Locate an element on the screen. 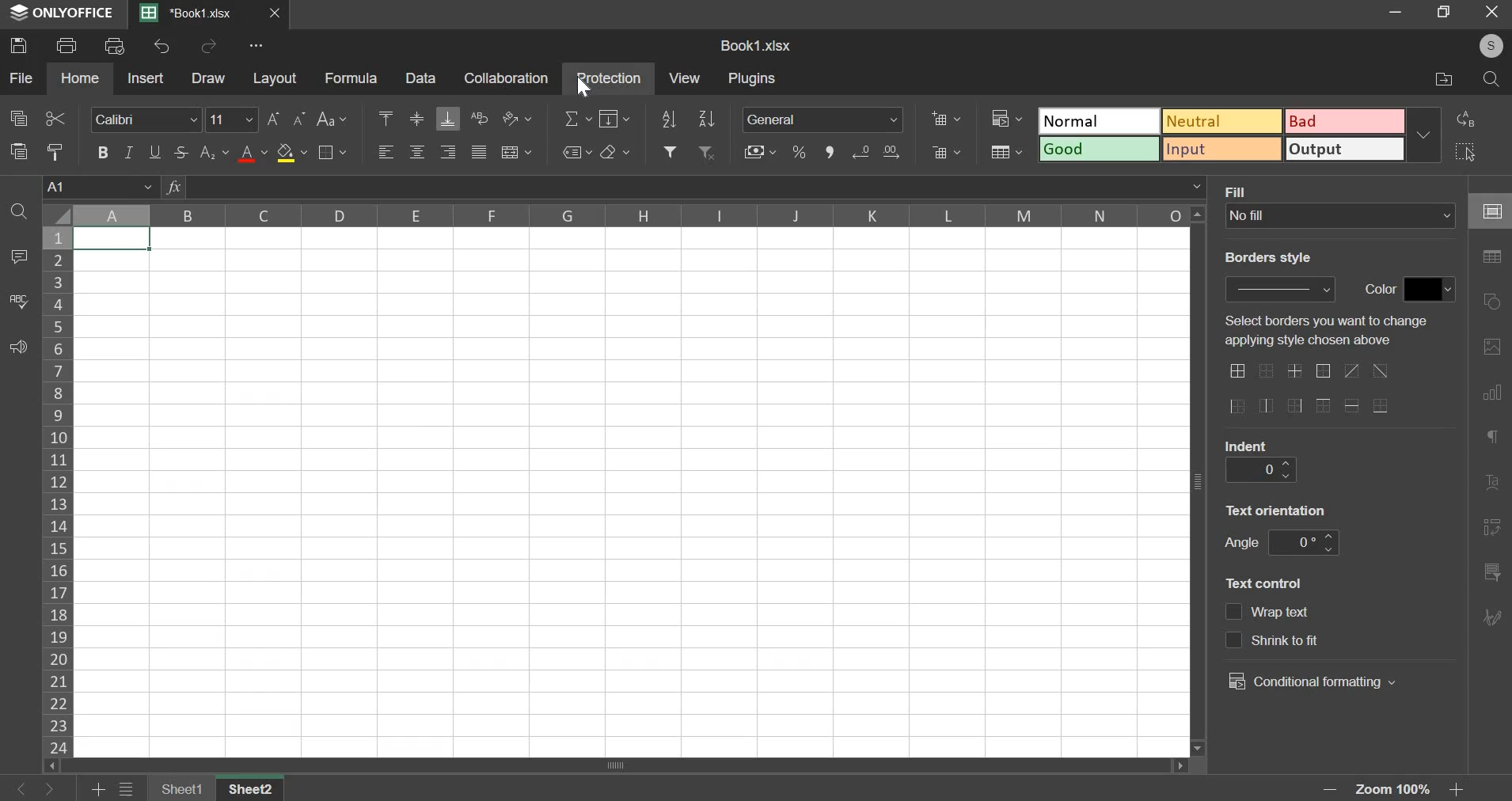 The height and width of the screenshot is (801, 1512). rows is located at coordinates (58, 490).